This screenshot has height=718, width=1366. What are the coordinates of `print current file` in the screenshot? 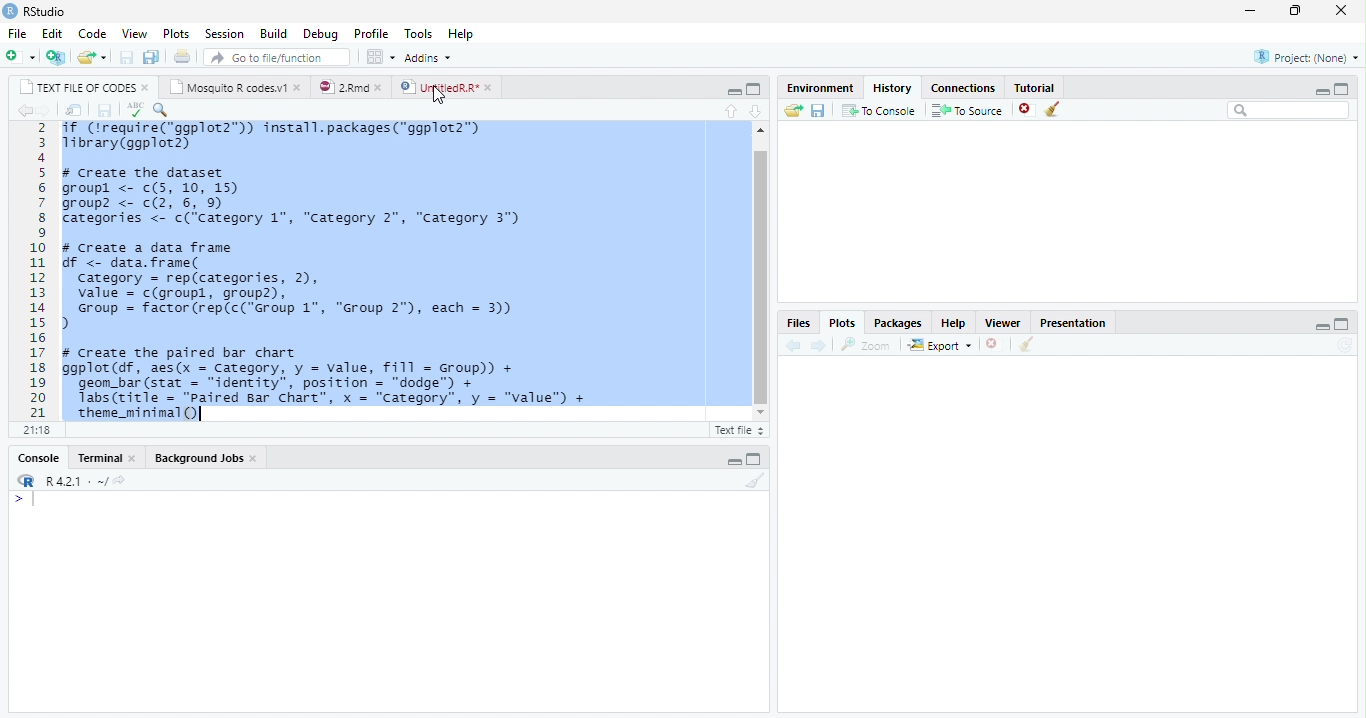 It's located at (185, 57).